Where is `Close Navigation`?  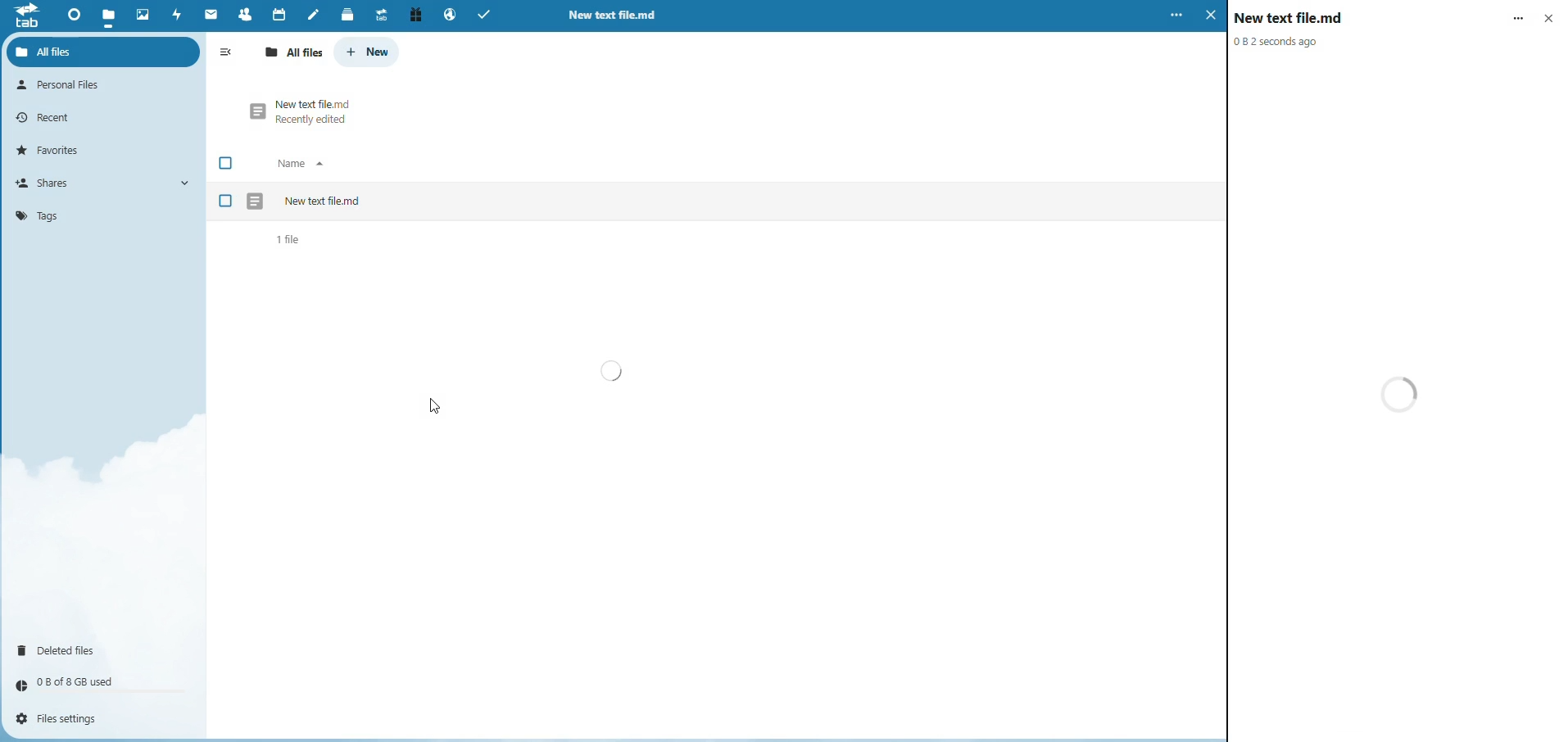
Close Navigation is located at coordinates (229, 53).